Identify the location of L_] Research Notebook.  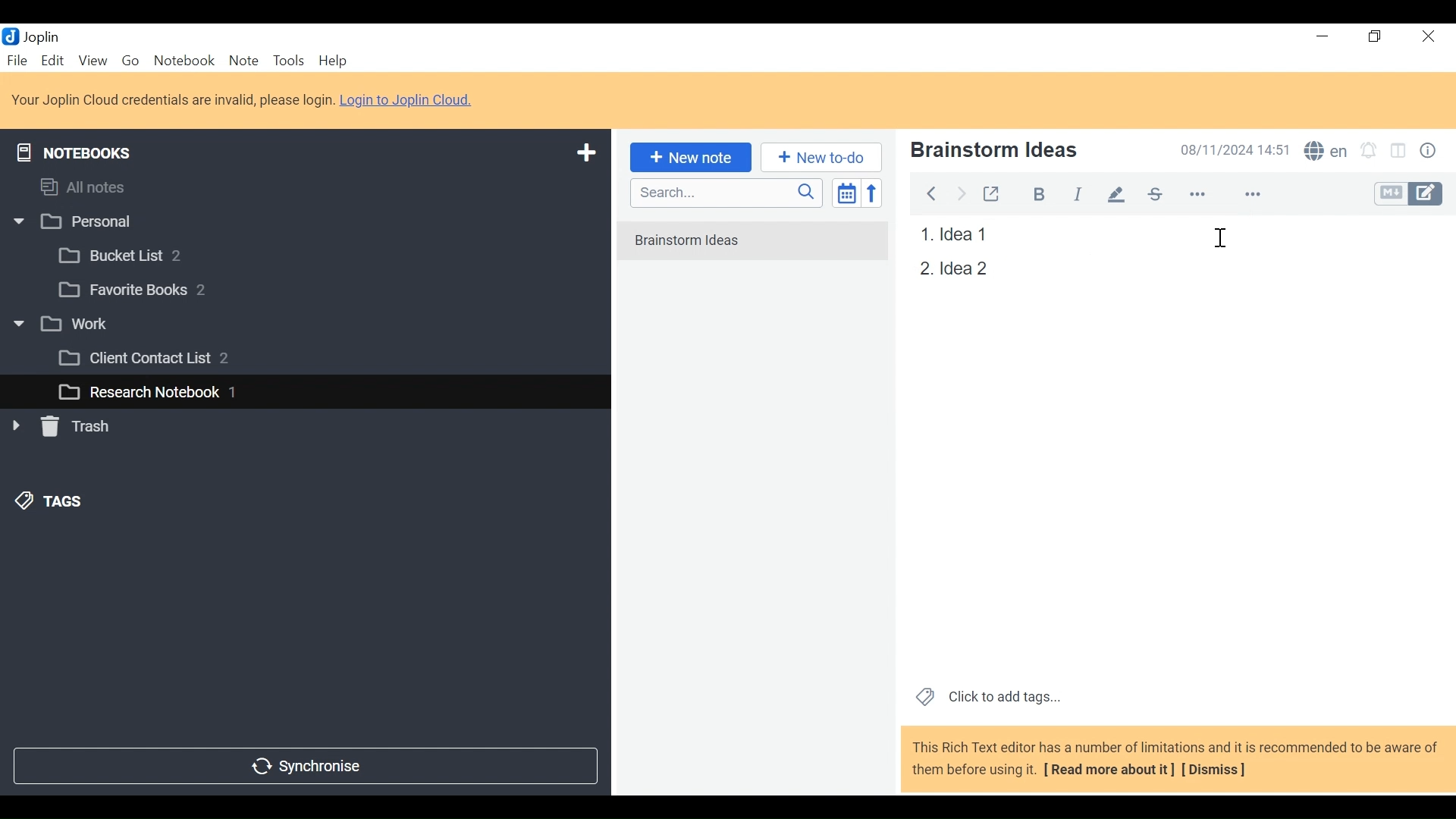
(138, 393).